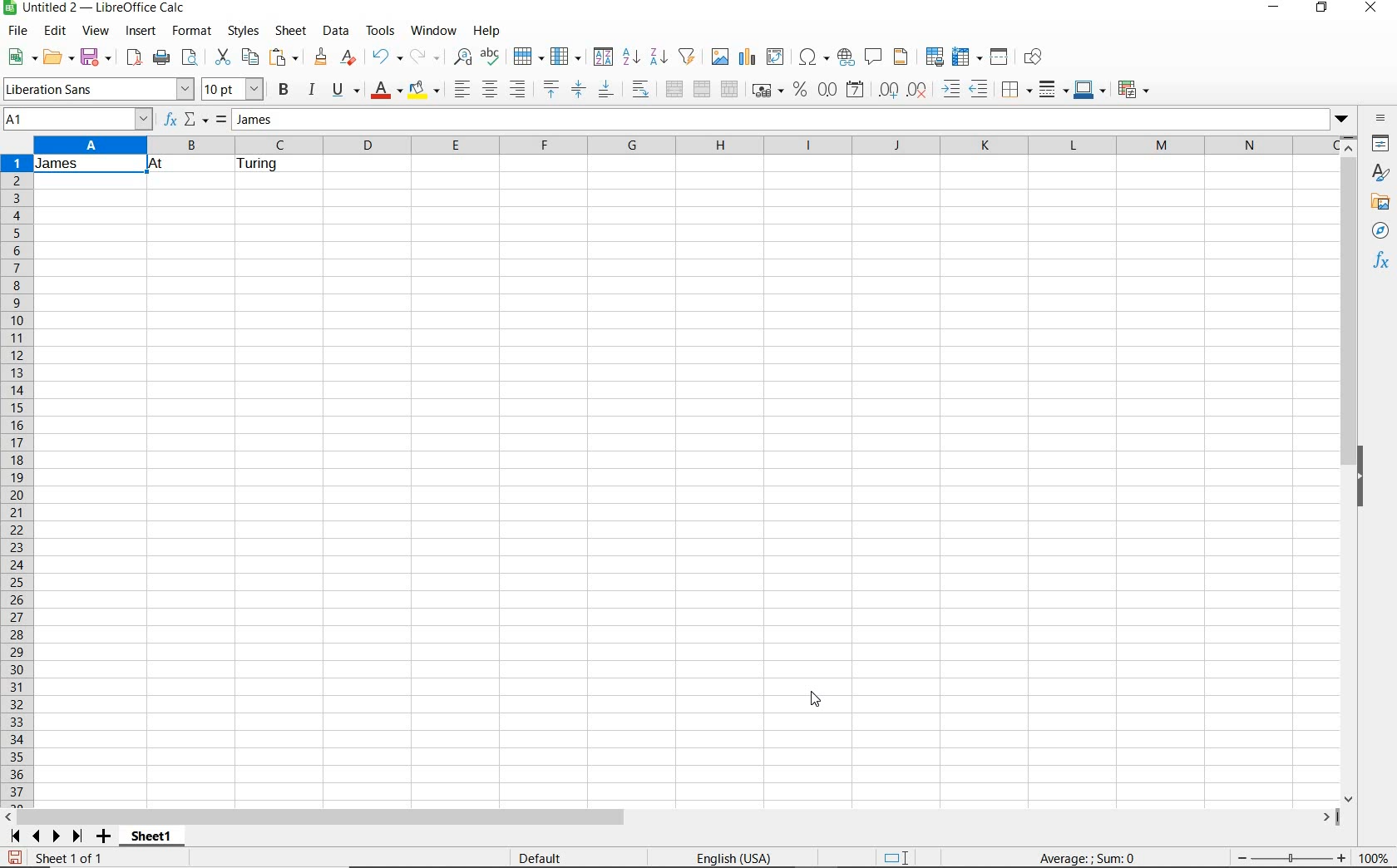 The image size is (1397, 868). Describe the element at coordinates (856, 91) in the screenshot. I see `format as date` at that location.